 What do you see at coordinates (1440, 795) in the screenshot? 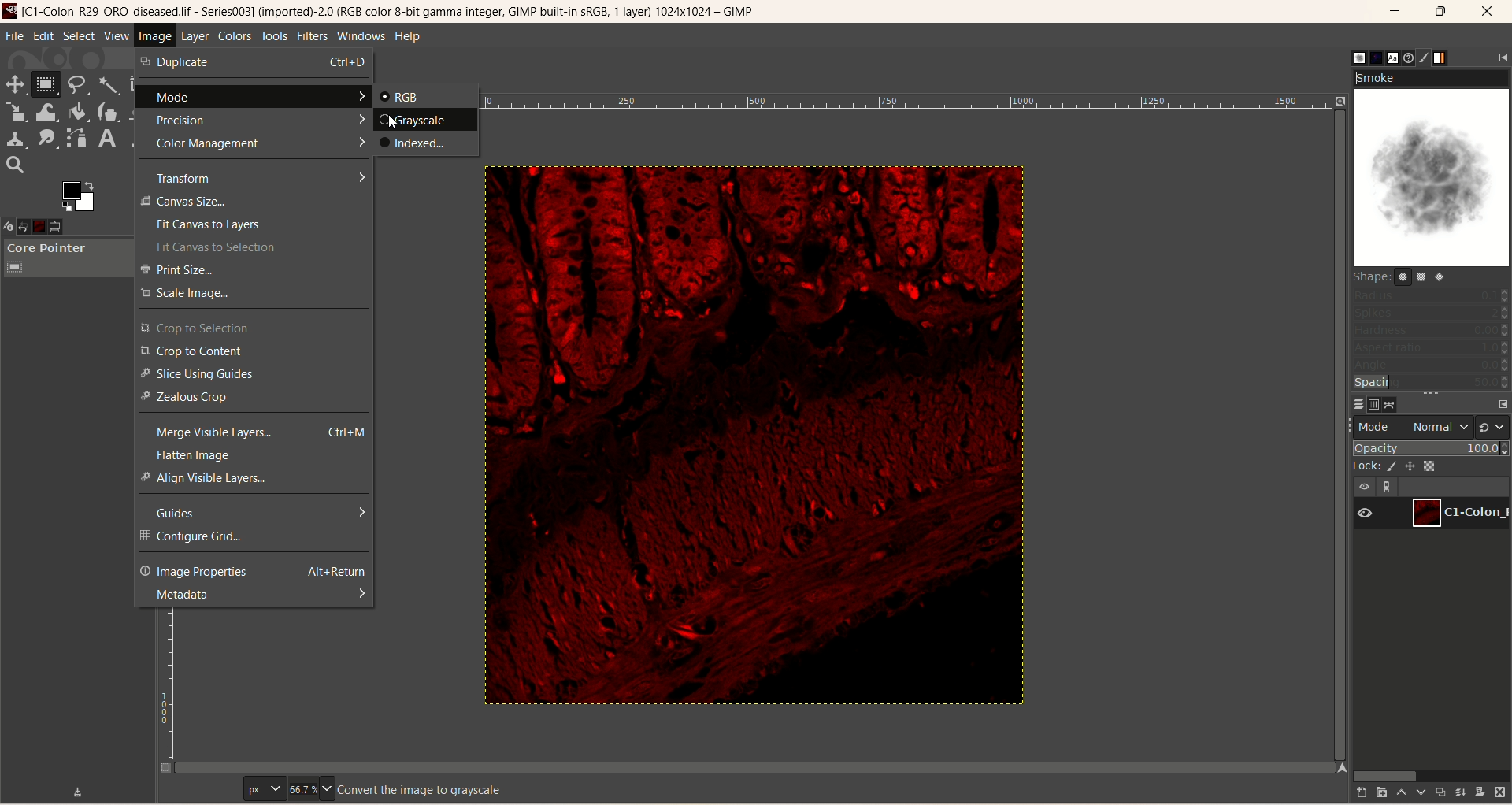
I see `duplicate layer` at bounding box center [1440, 795].